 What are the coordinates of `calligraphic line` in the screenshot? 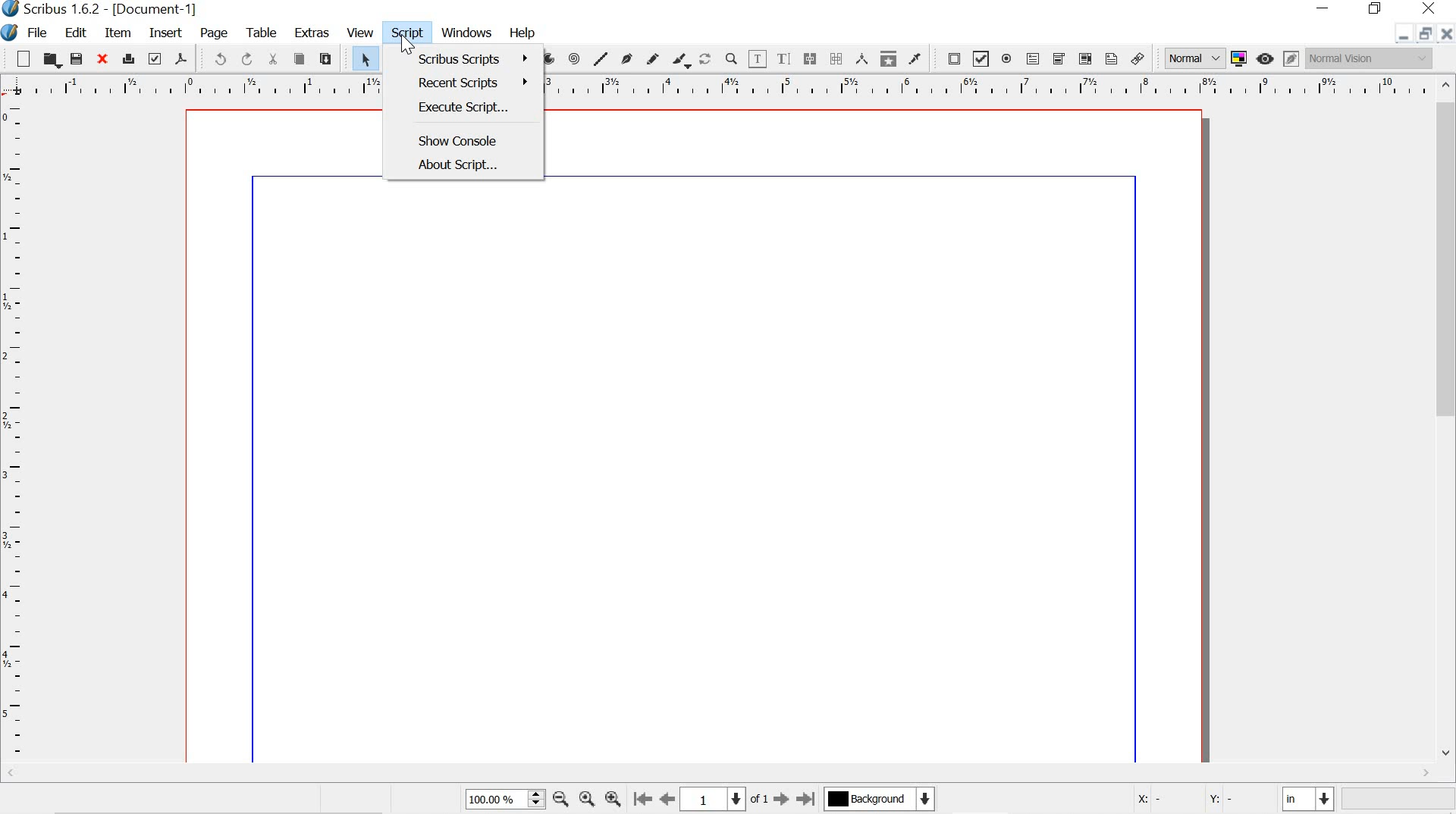 It's located at (682, 61).